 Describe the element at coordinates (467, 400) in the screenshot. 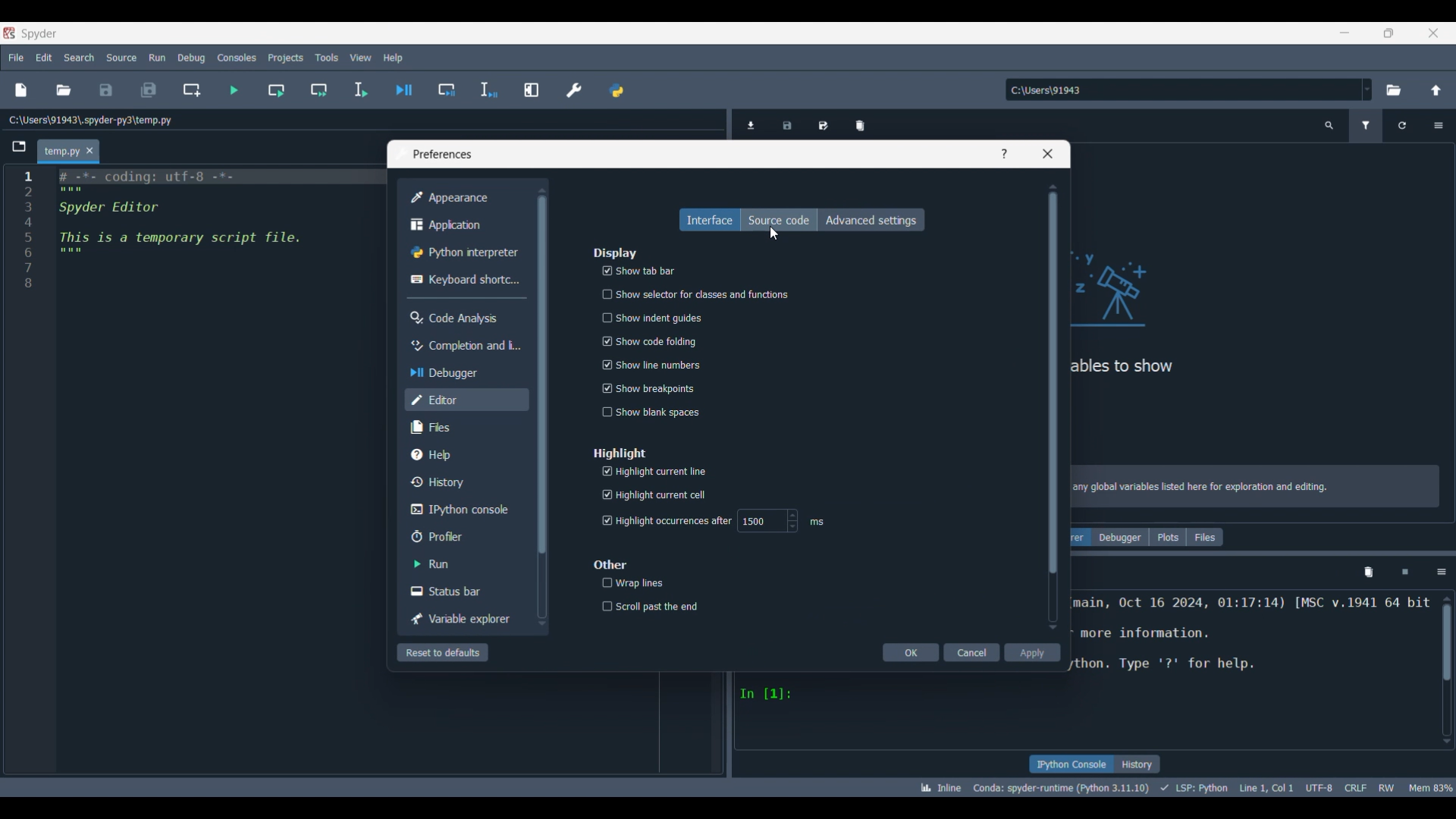

I see `Editor, current selection highlighted` at that location.